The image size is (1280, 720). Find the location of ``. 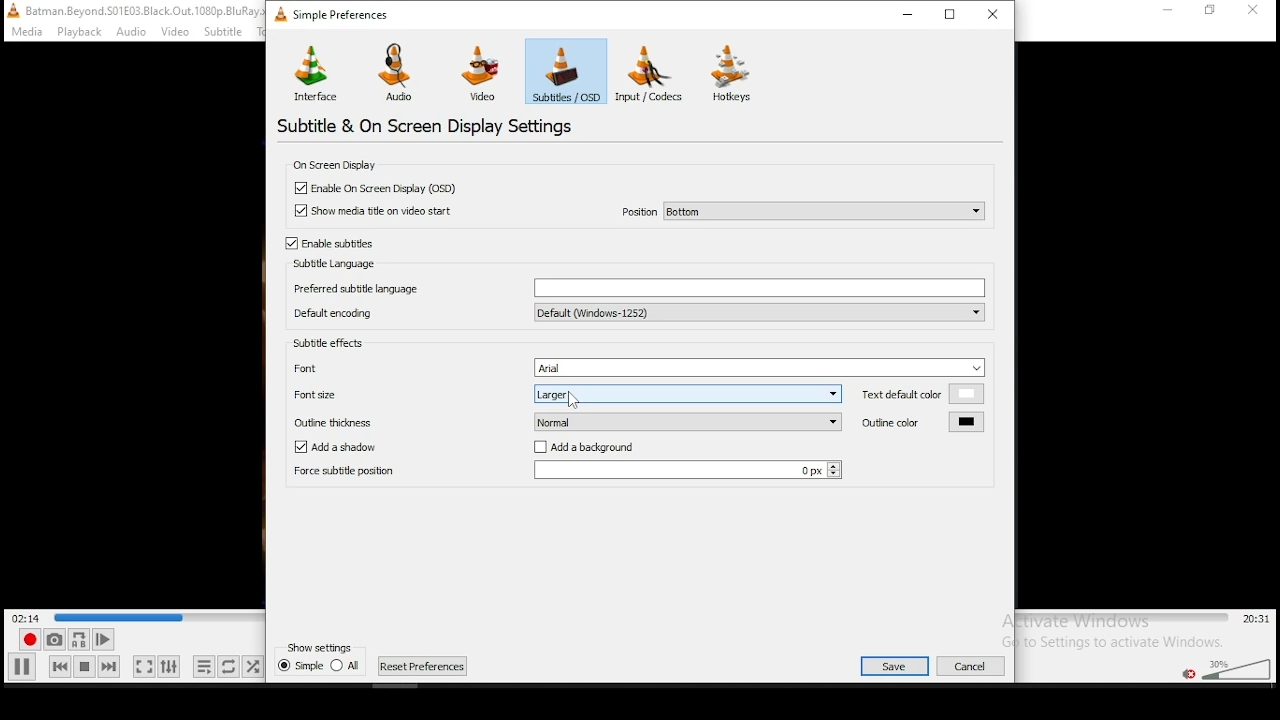

 is located at coordinates (1214, 14).